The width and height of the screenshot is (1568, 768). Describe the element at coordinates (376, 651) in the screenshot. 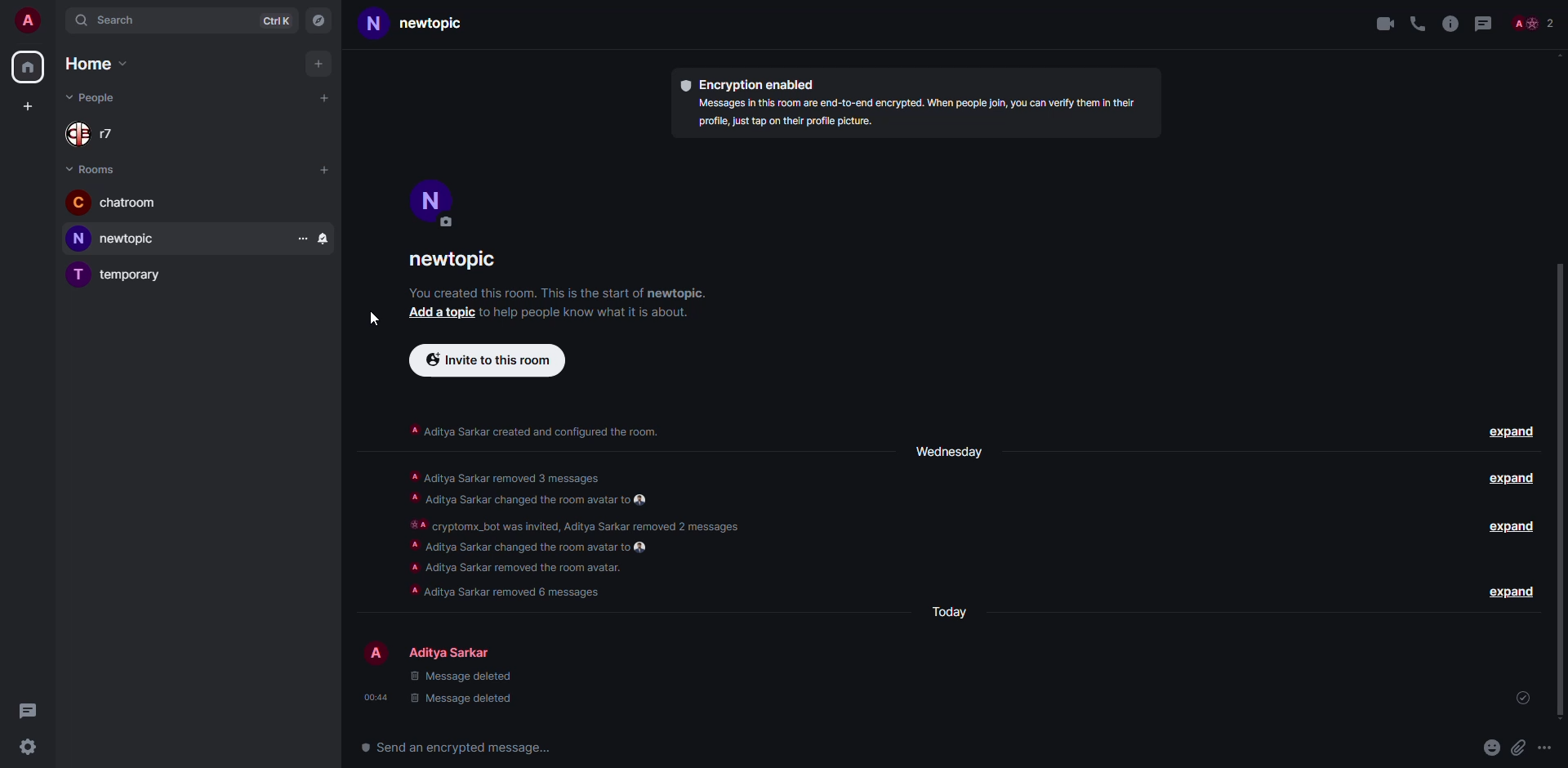

I see `profile` at that location.